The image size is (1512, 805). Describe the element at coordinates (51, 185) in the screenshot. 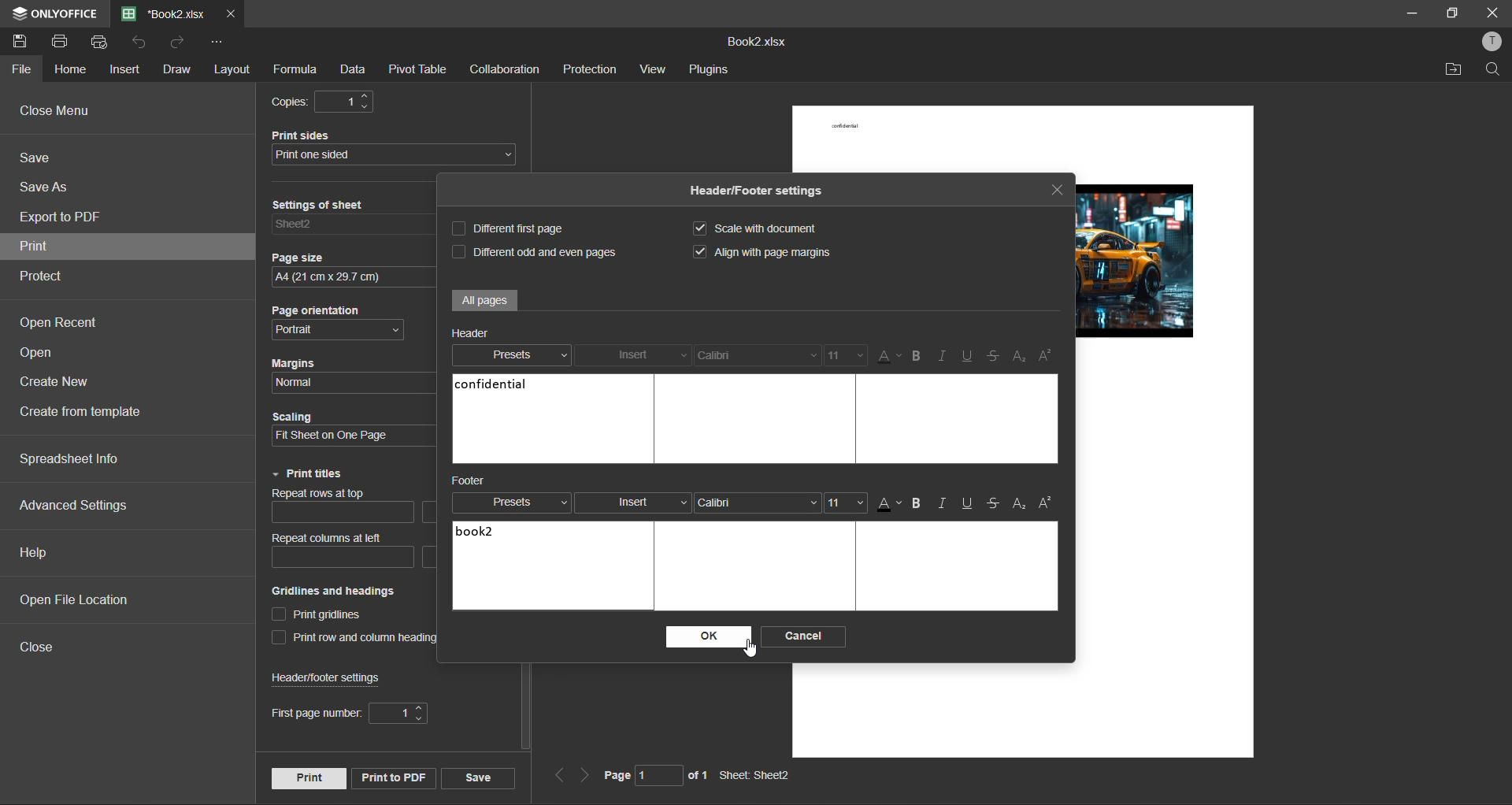

I see `save as ` at that location.